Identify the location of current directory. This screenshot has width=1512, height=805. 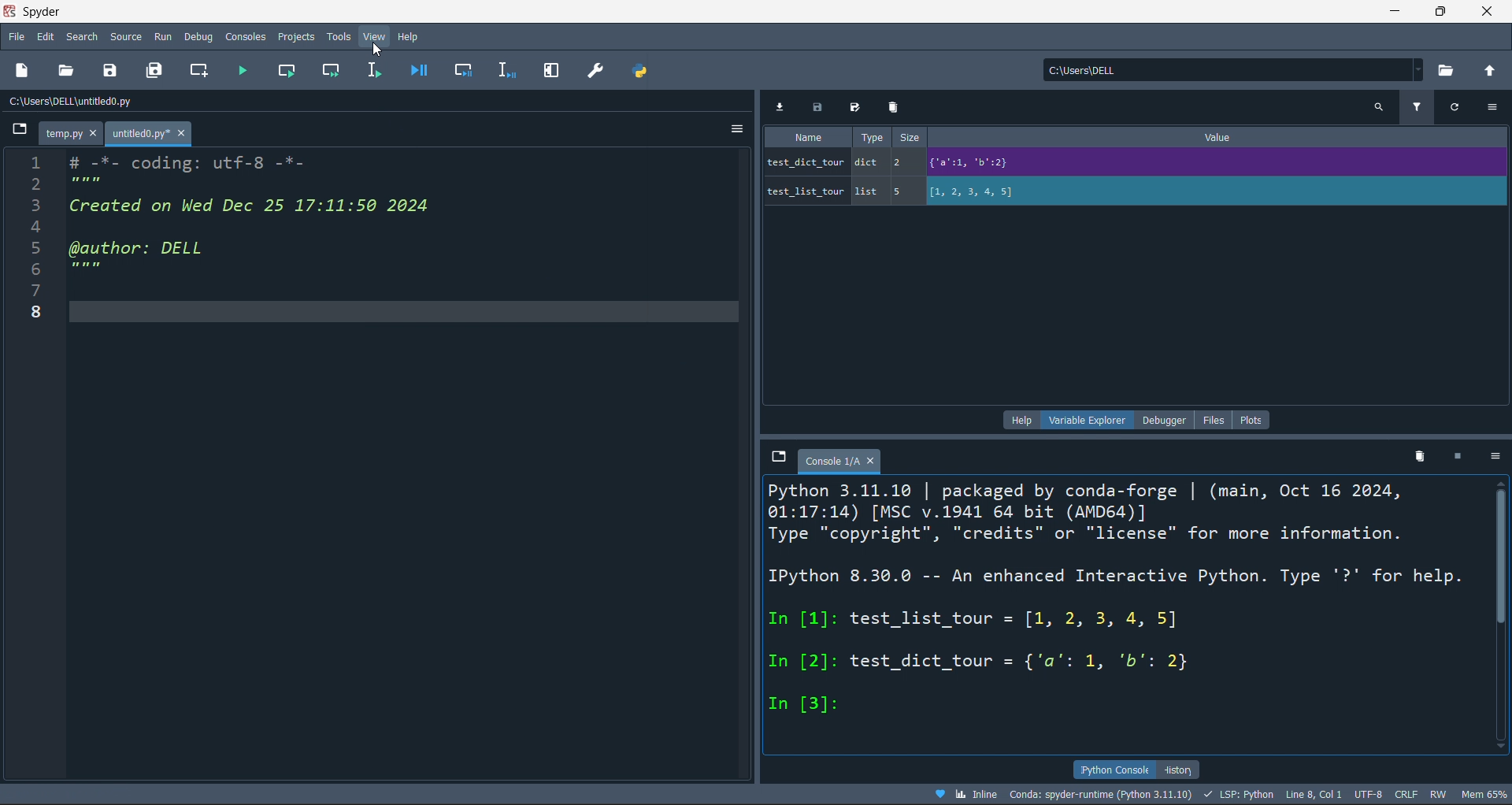
(1228, 70).